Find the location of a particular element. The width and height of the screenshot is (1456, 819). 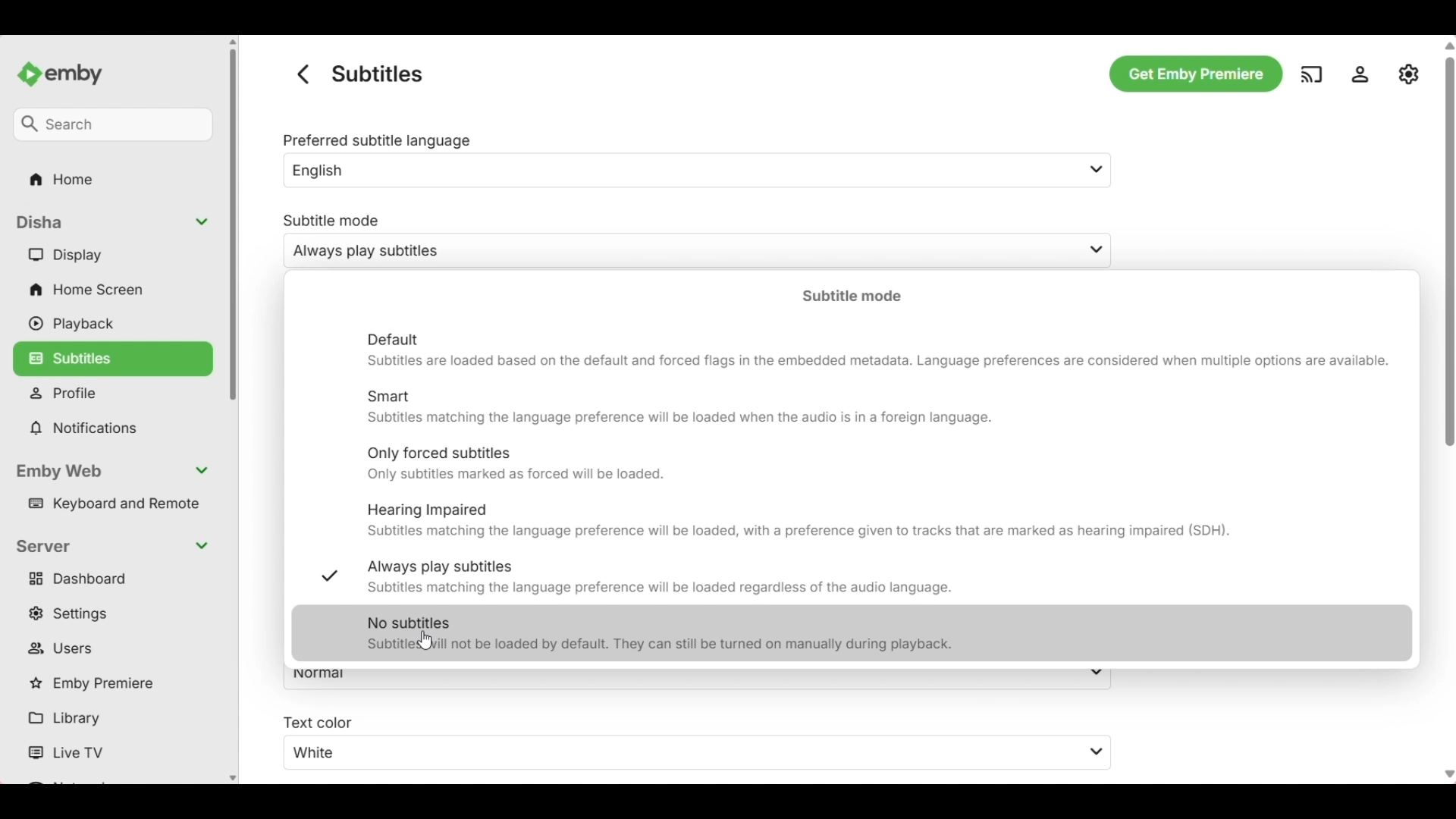

Collapse Server is located at coordinates (114, 547).